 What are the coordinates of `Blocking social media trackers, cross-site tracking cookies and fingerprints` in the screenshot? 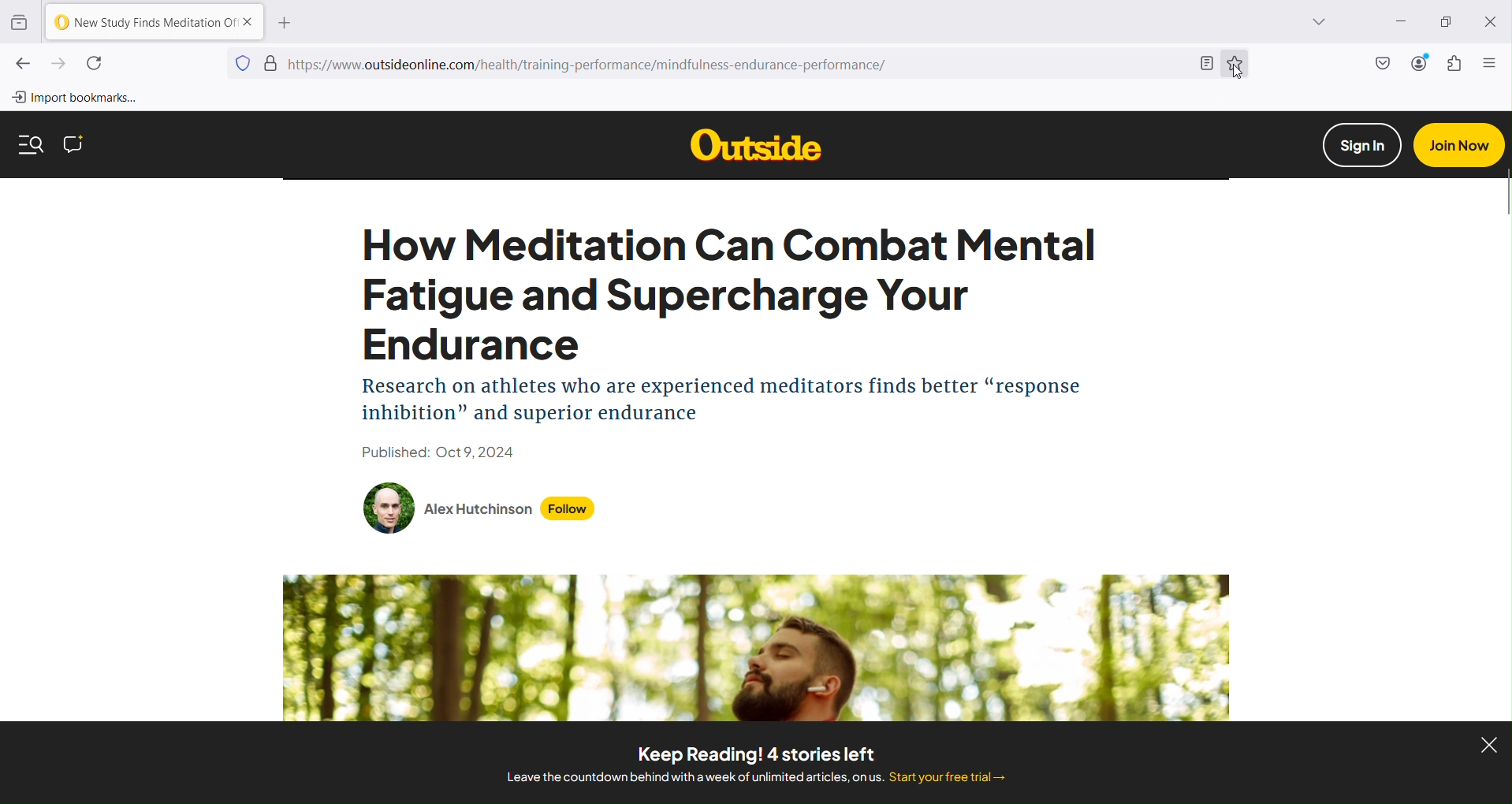 It's located at (243, 62).